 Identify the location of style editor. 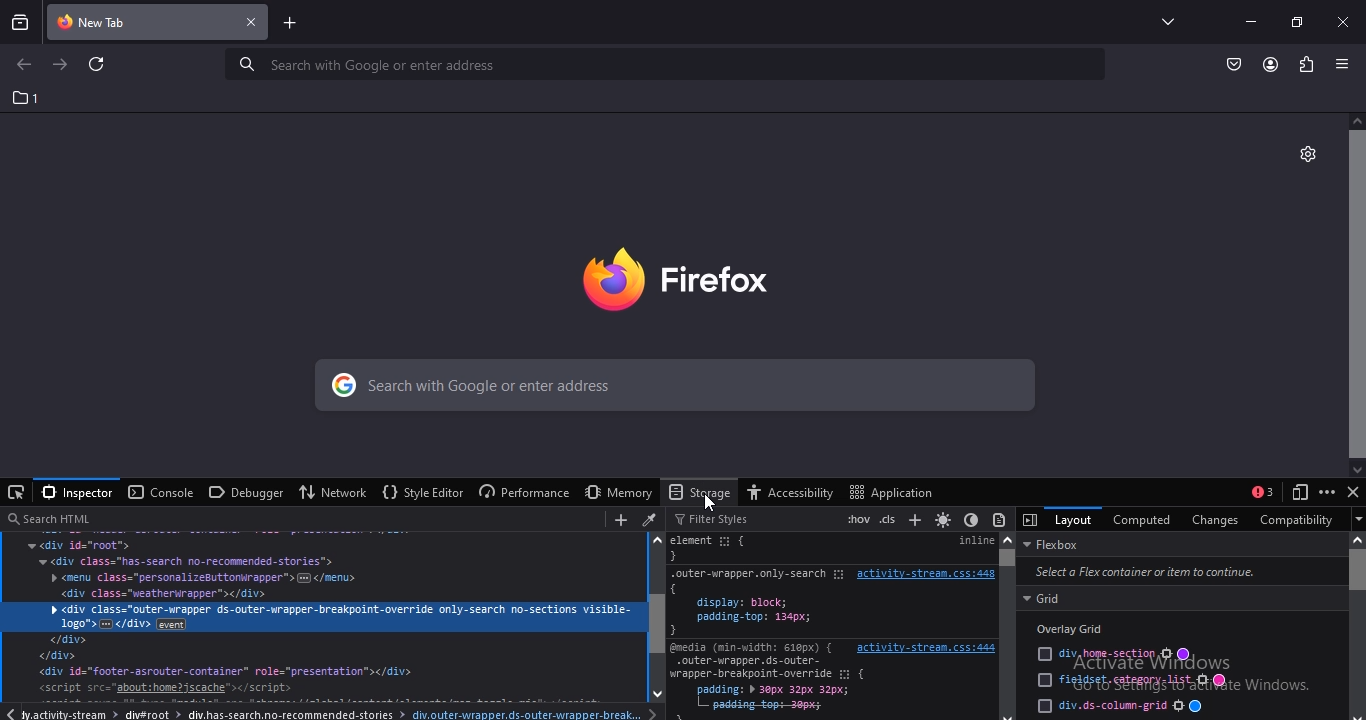
(421, 493).